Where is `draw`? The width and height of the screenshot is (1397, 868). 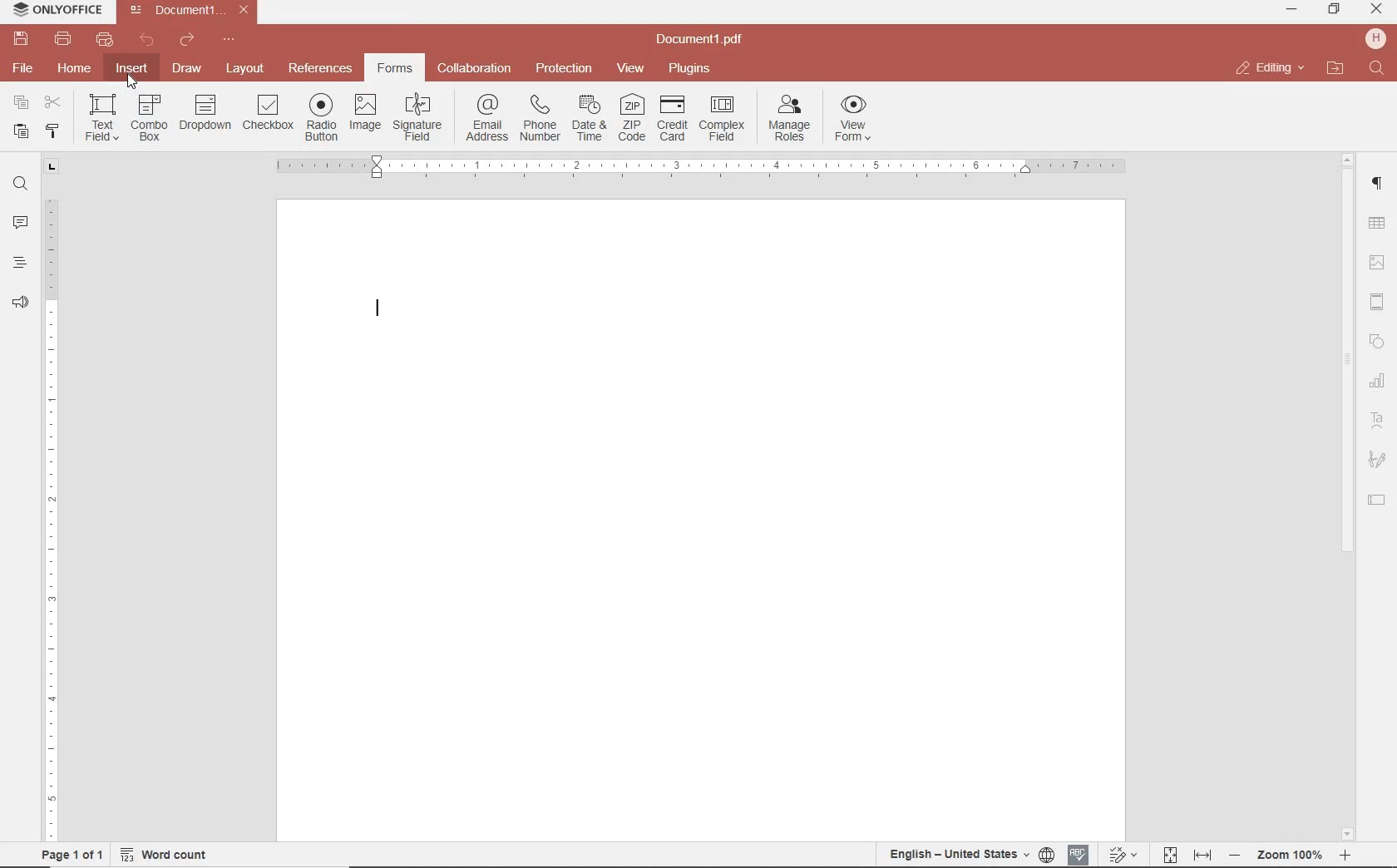
draw is located at coordinates (188, 67).